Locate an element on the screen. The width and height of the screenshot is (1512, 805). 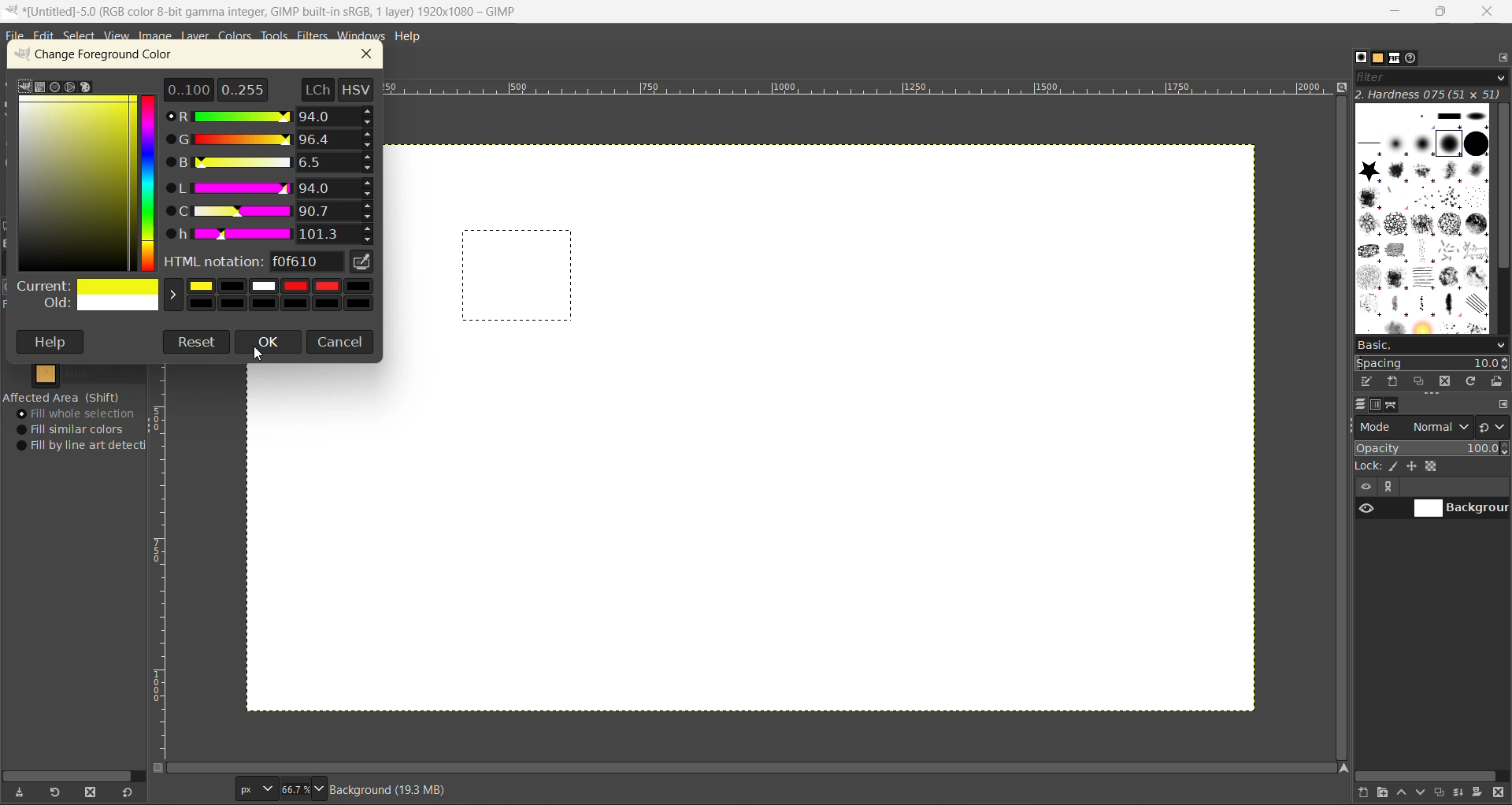
minimize is located at coordinates (1398, 10).